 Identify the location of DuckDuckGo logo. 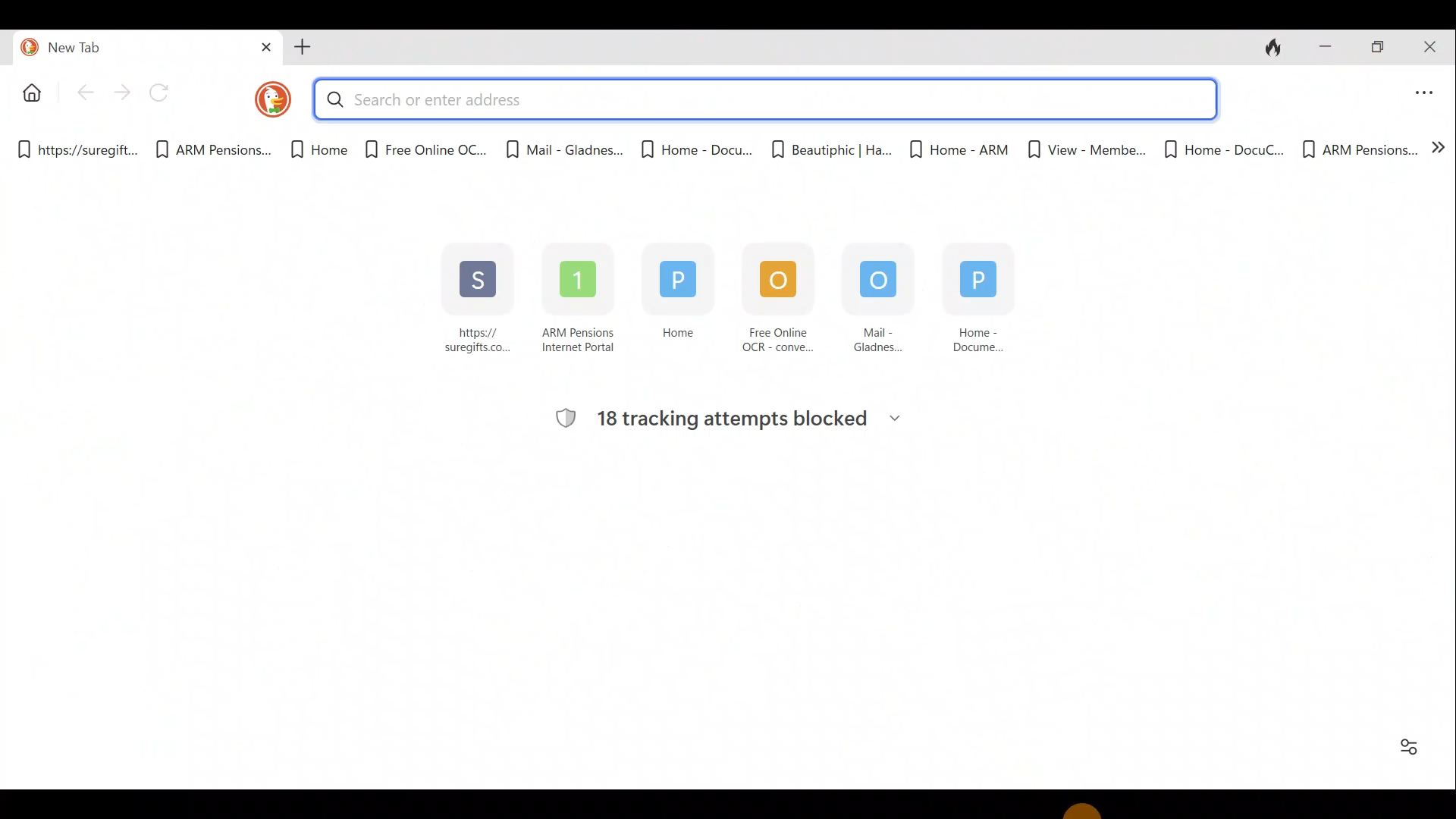
(261, 99).